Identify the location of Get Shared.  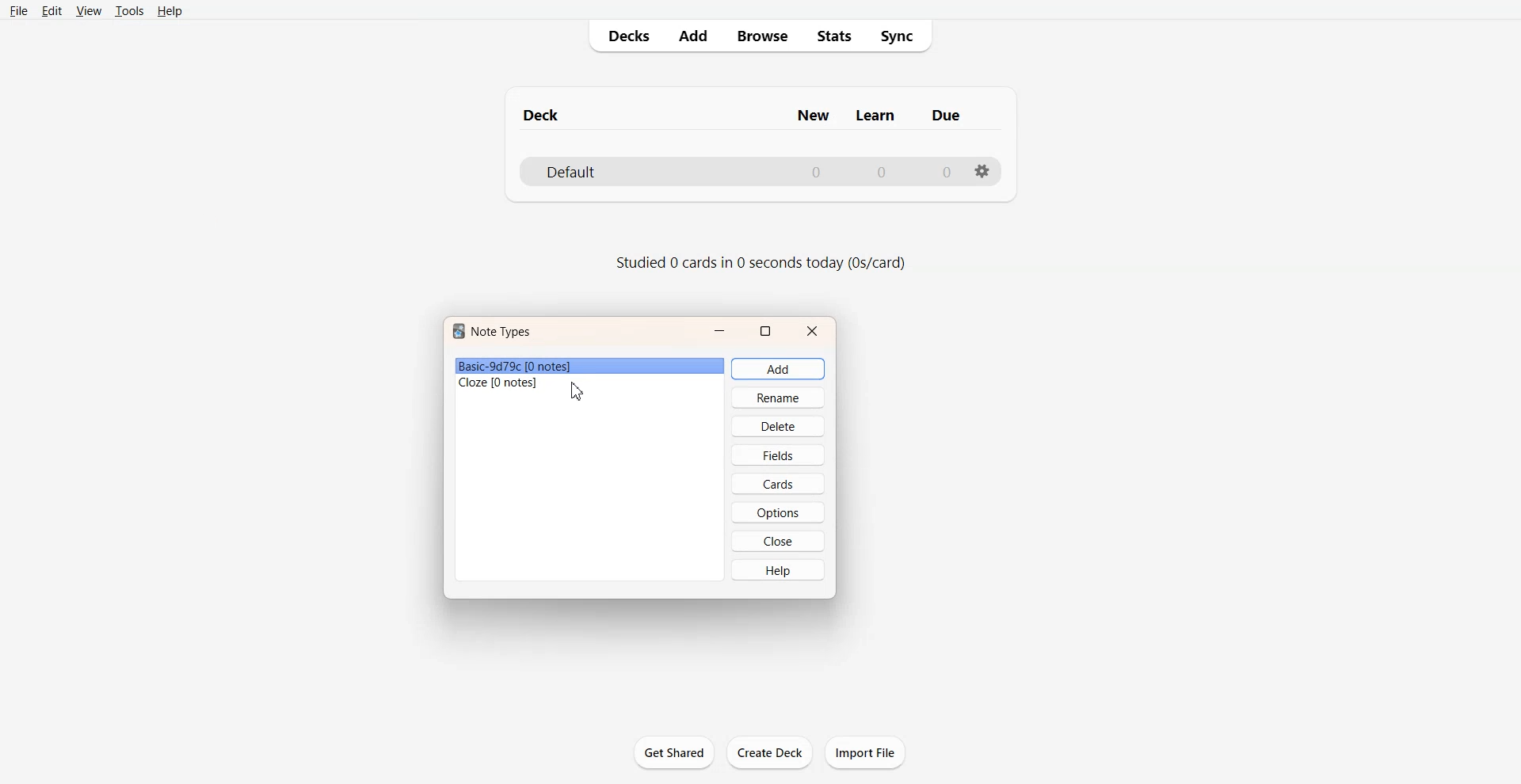
(673, 752).